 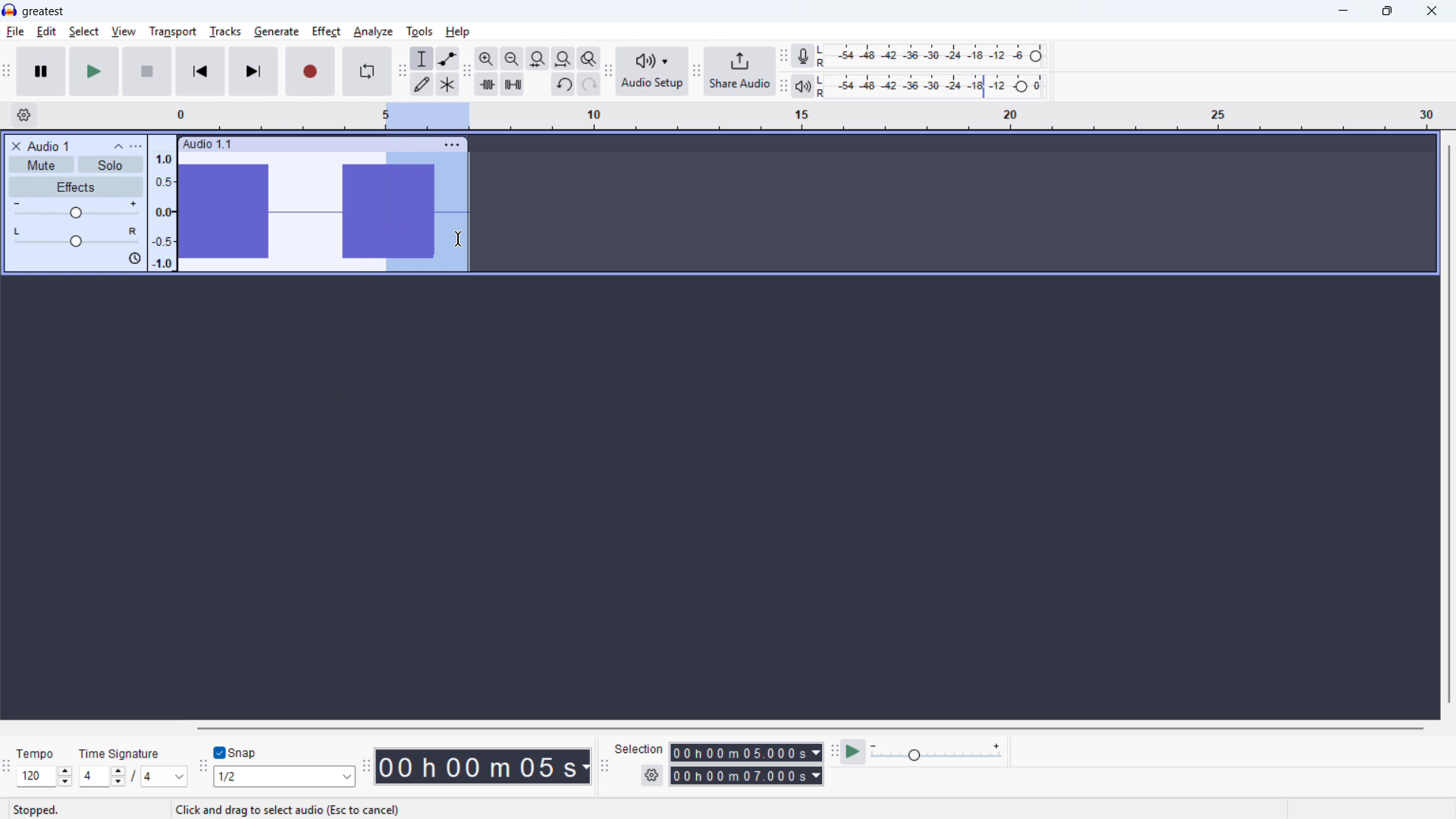 I want to click on help, so click(x=458, y=32).